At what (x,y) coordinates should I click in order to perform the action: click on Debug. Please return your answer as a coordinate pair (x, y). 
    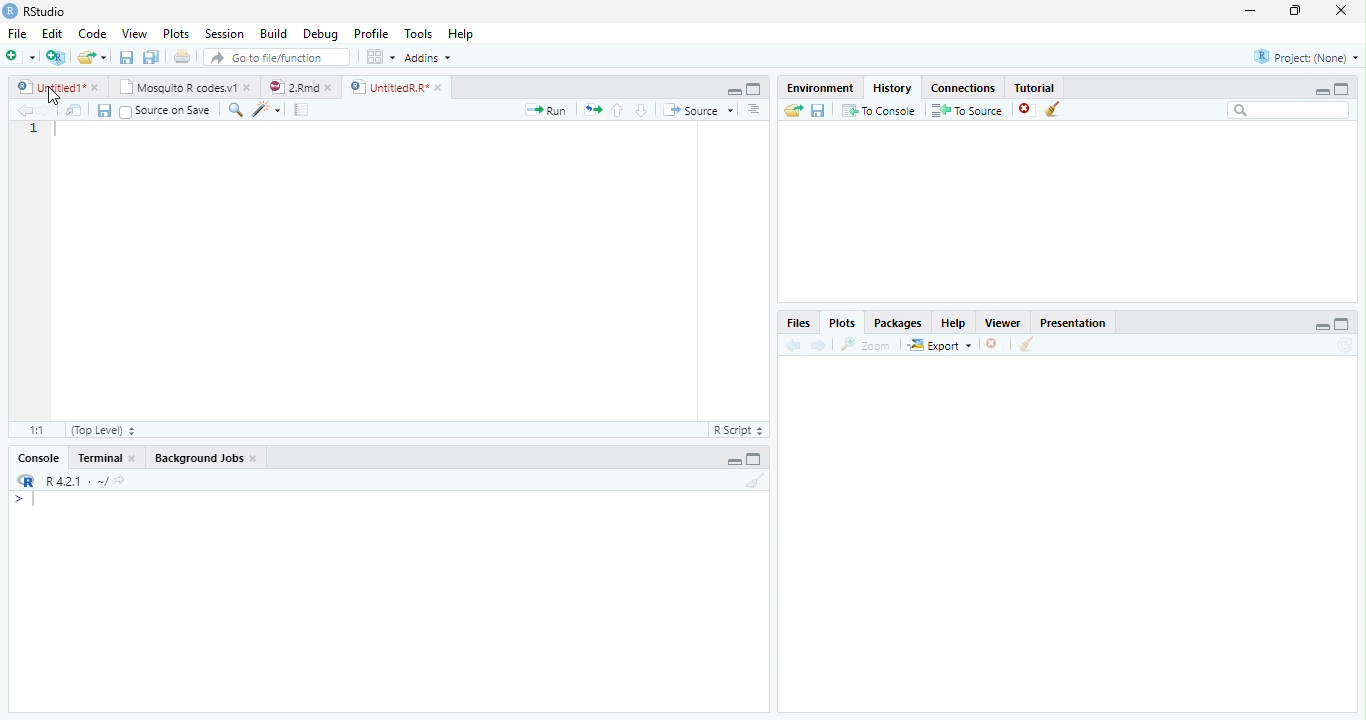
    Looking at the image, I should click on (324, 36).